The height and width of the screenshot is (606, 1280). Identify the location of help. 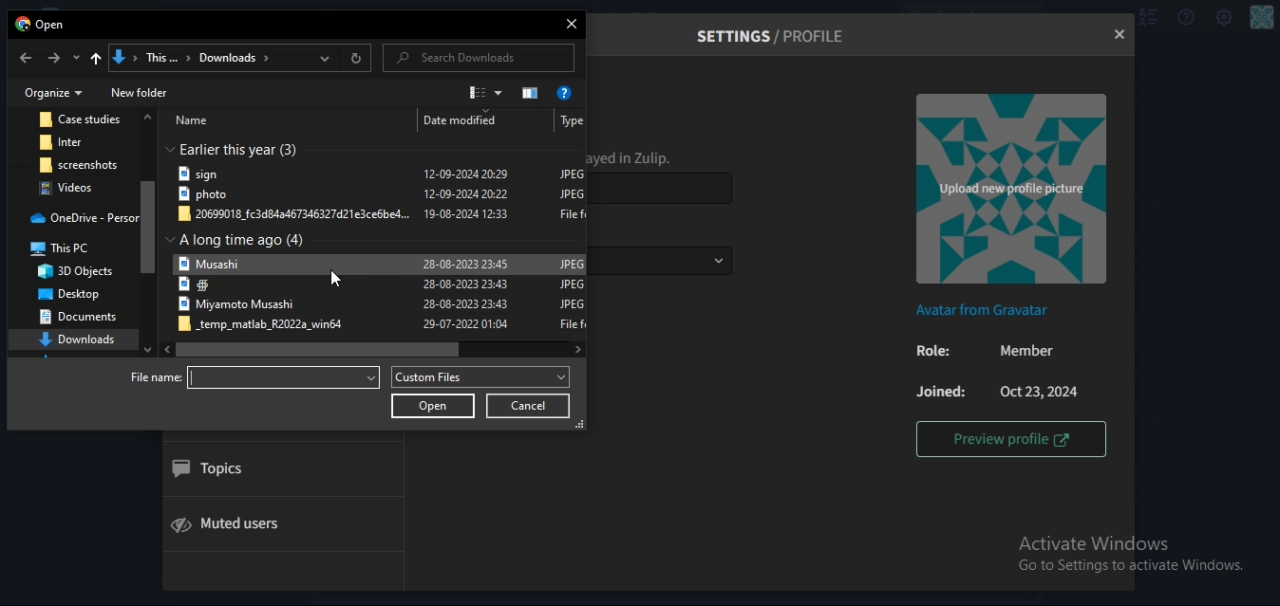
(566, 93).